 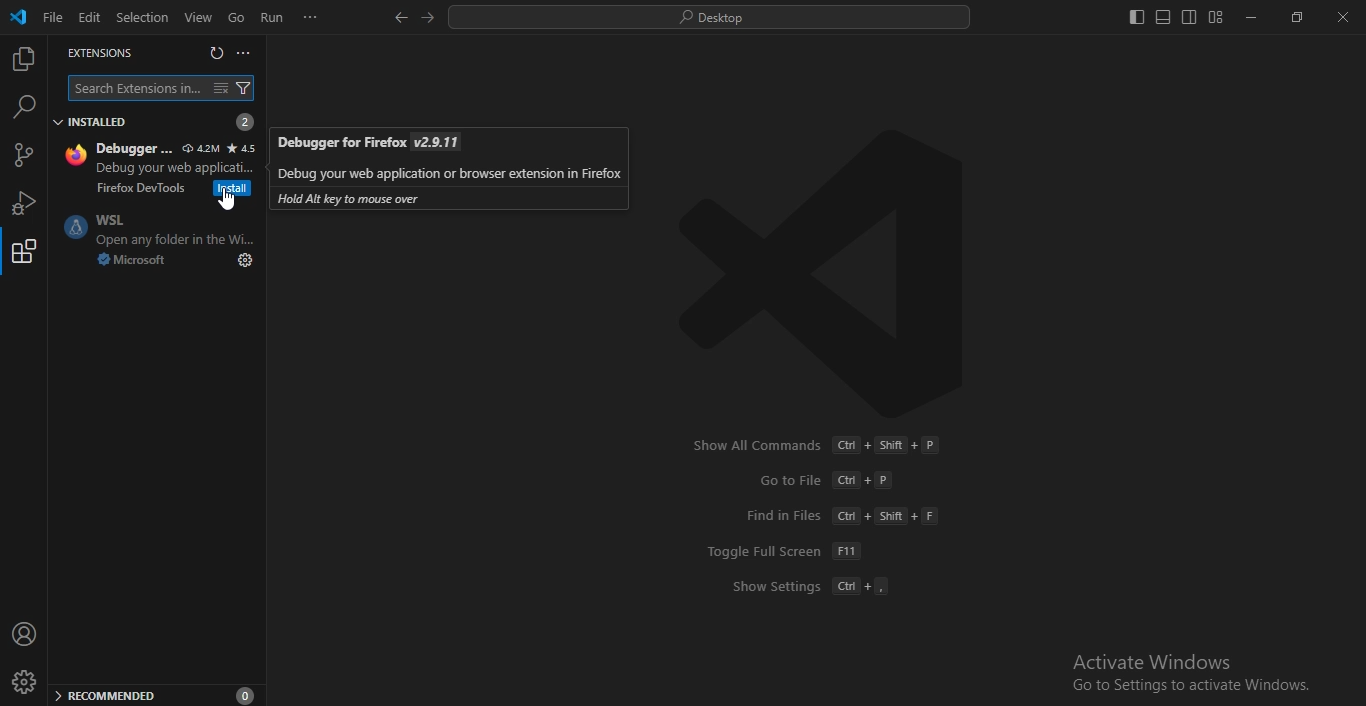 I want to click on search, so click(x=137, y=88).